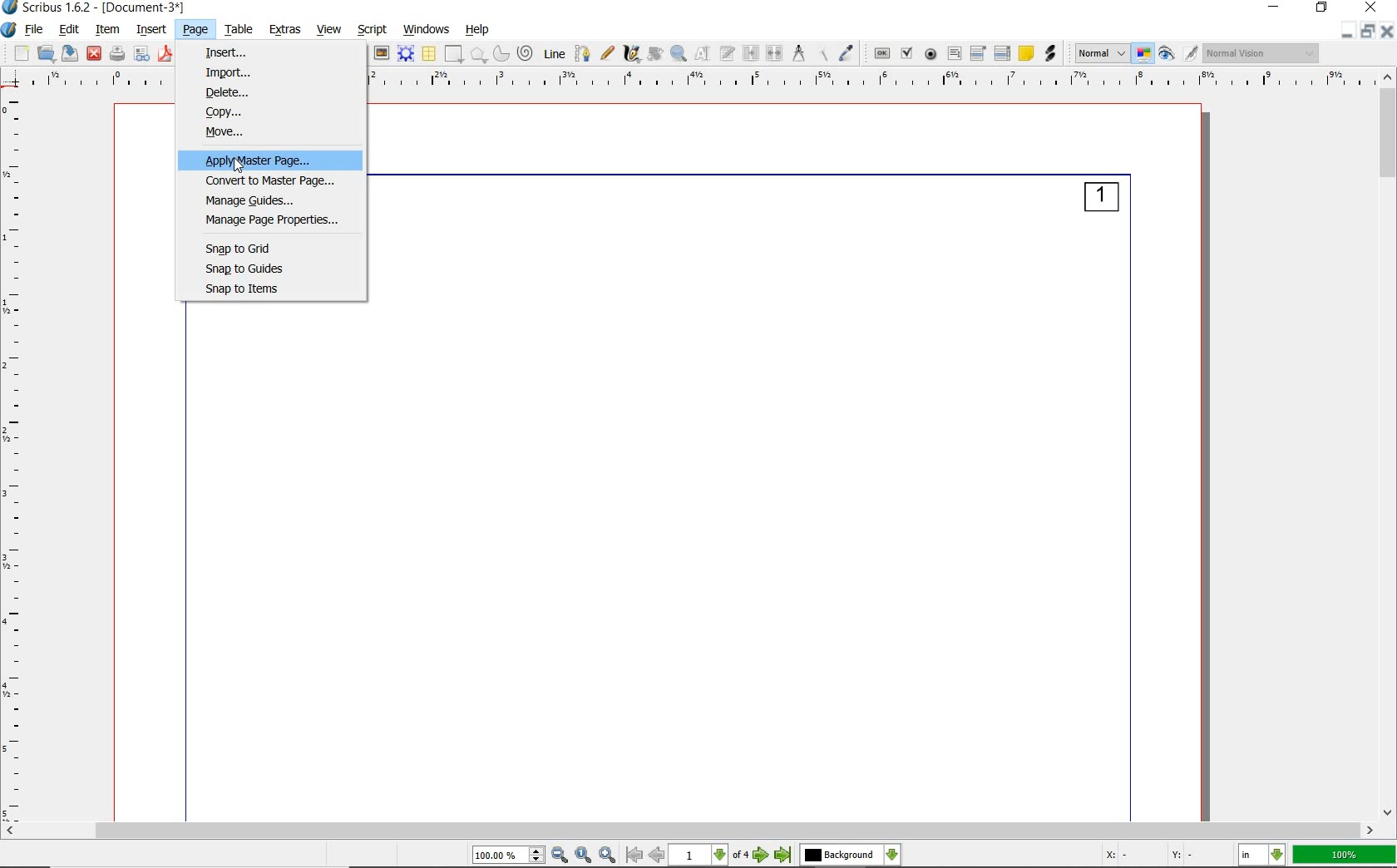  What do you see at coordinates (258, 113) in the screenshot?
I see `copy` at bounding box center [258, 113].